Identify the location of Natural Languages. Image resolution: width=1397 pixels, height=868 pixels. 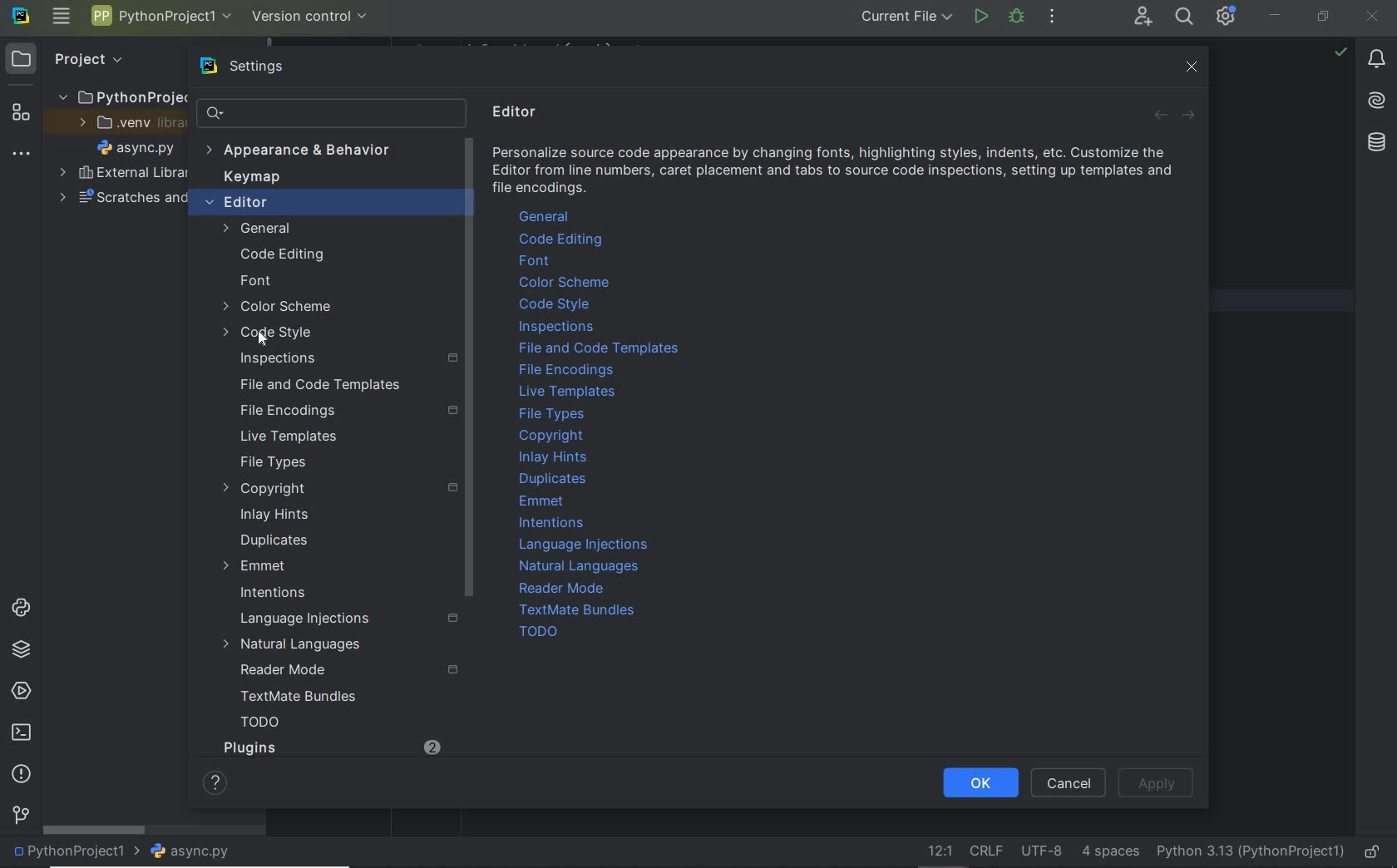
(294, 646).